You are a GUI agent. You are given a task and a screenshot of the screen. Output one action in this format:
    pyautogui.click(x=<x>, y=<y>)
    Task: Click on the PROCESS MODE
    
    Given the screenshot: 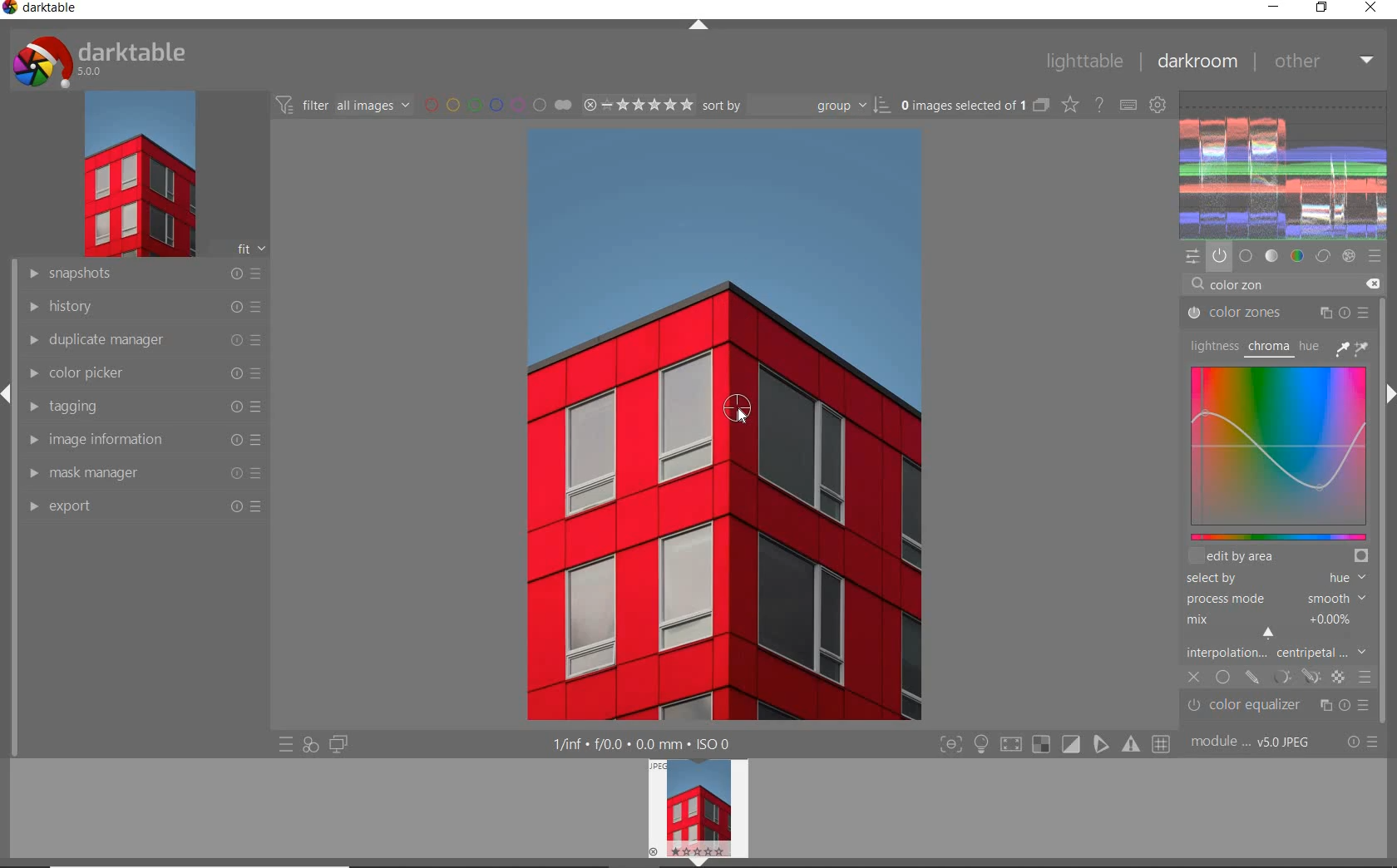 What is the action you would take?
    pyautogui.click(x=1274, y=598)
    